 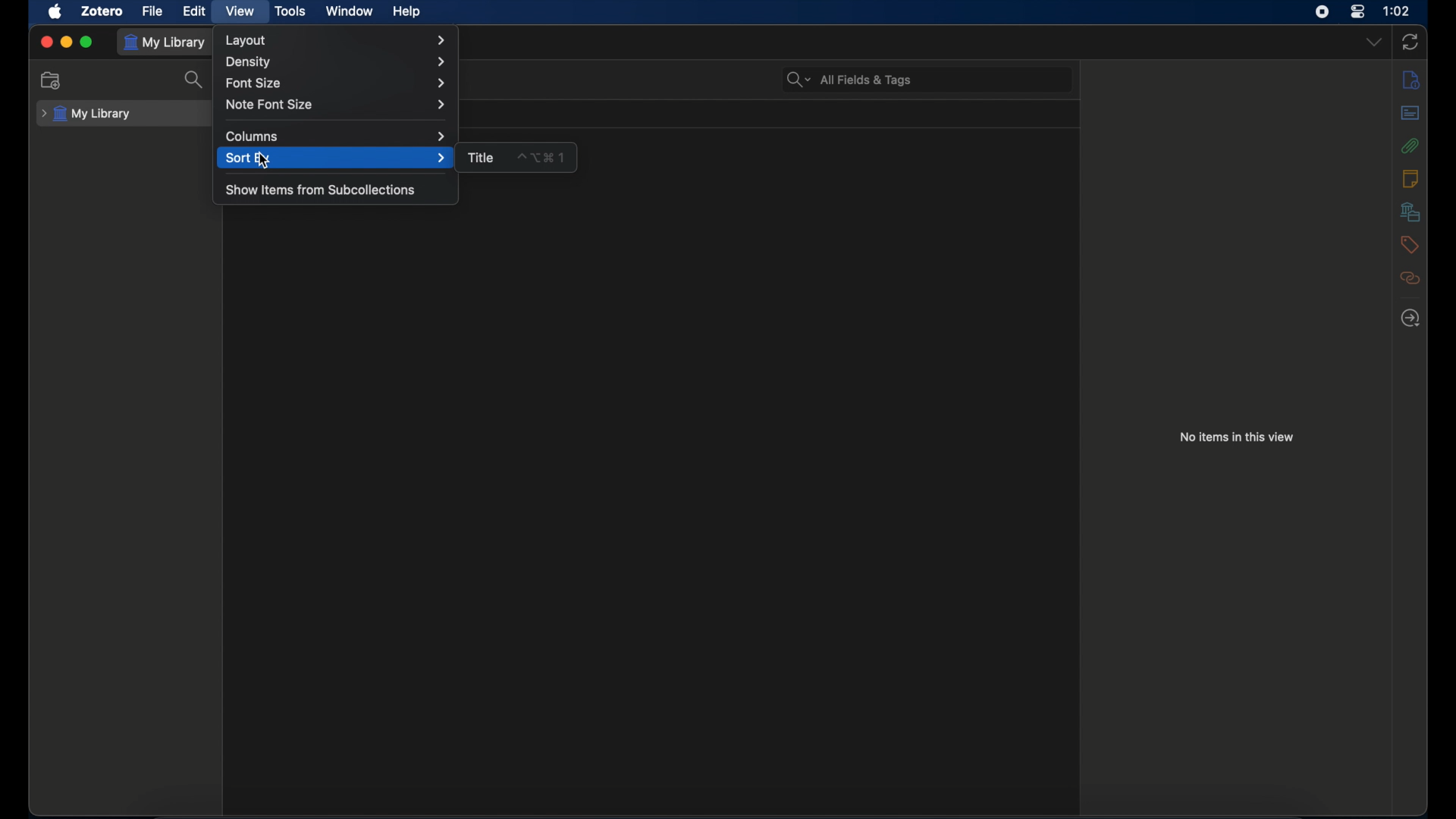 What do you see at coordinates (847, 80) in the screenshot?
I see `search bar` at bounding box center [847, 80].